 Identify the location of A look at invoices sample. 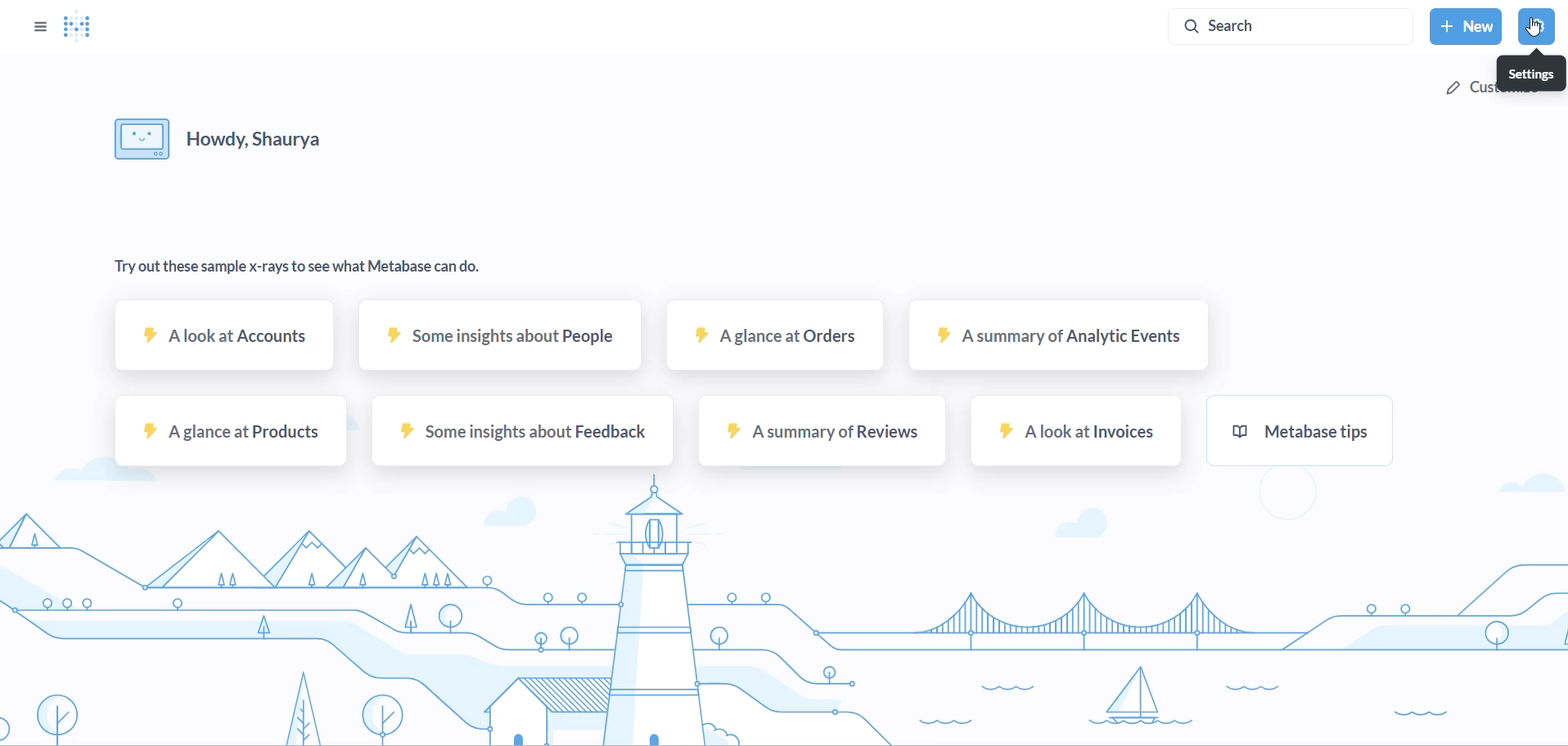
(1069, 432).